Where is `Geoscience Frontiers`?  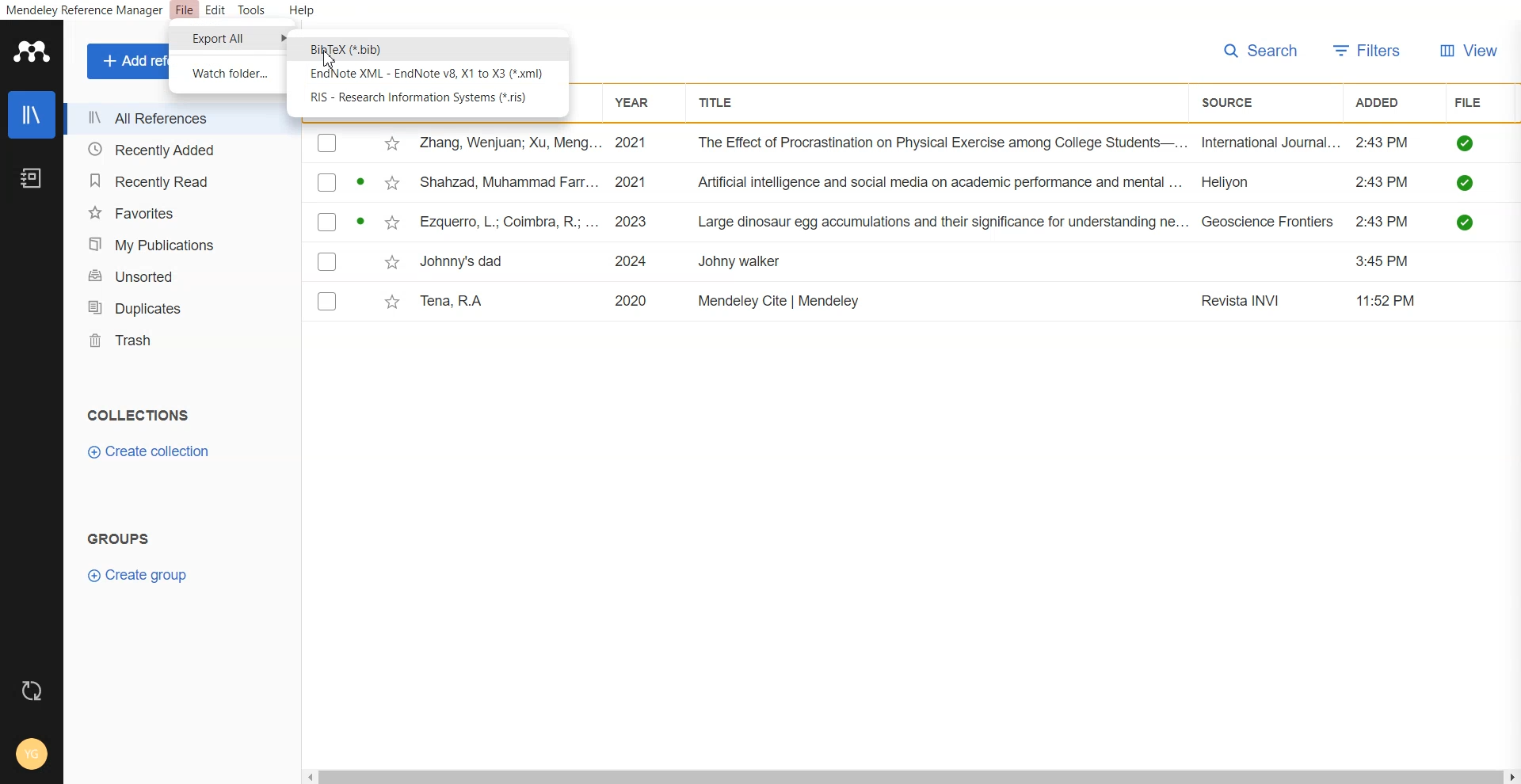
Geoscience Frontiers is located at coordinates (1268, 222).